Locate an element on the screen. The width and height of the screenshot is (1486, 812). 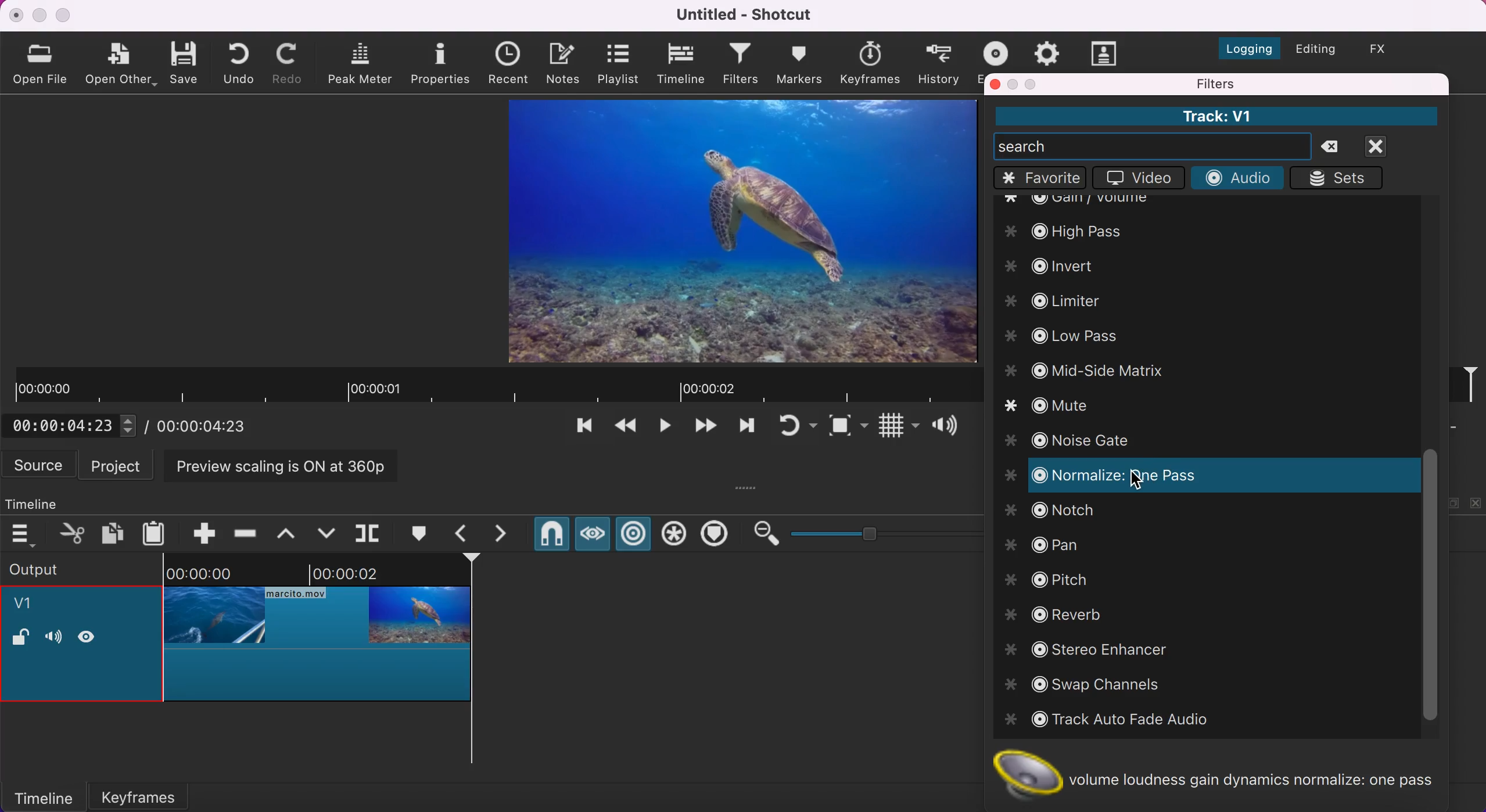
ripple is located at coordinates (634, 535).